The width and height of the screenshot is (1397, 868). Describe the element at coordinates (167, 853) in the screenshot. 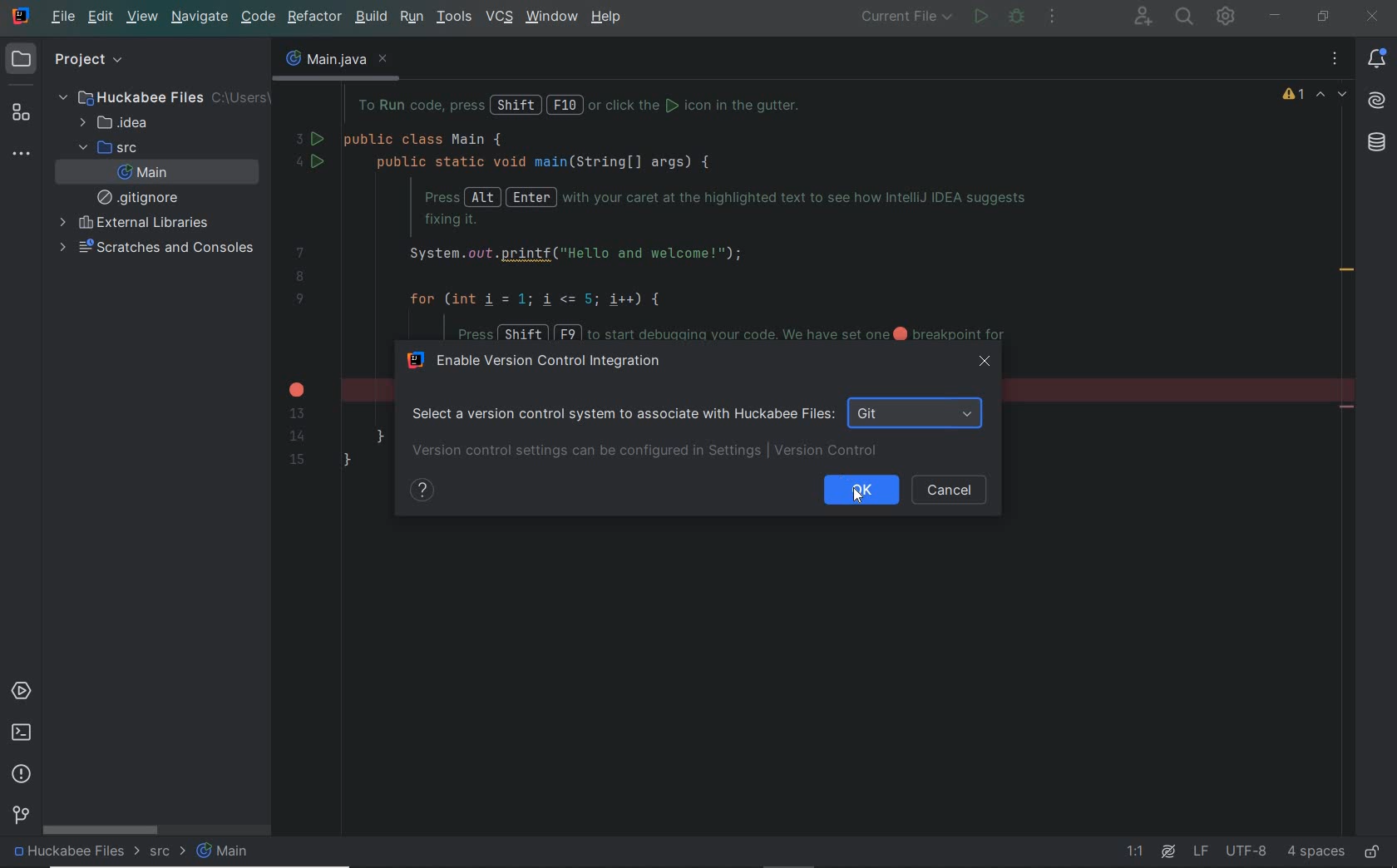

I see `src` at that location.